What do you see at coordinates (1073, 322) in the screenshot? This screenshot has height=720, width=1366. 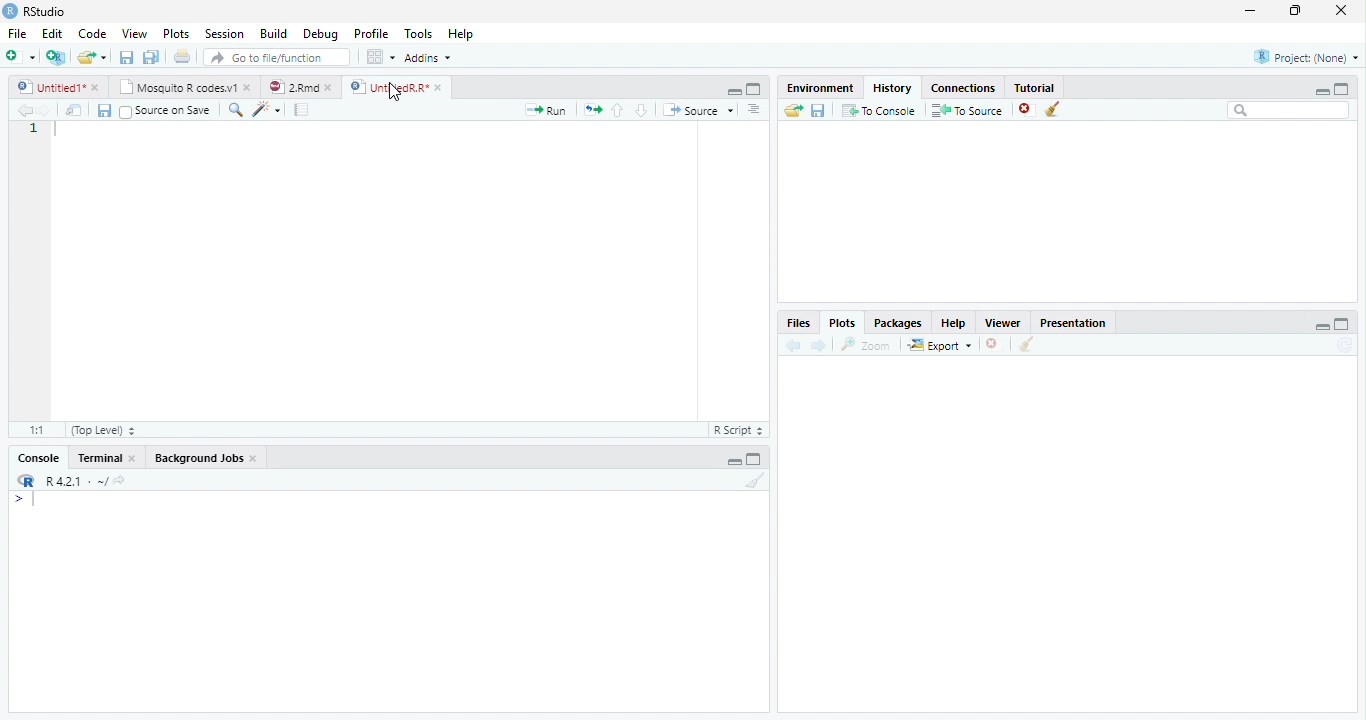 I see `Presentation` at bounding box center [1073, 322].